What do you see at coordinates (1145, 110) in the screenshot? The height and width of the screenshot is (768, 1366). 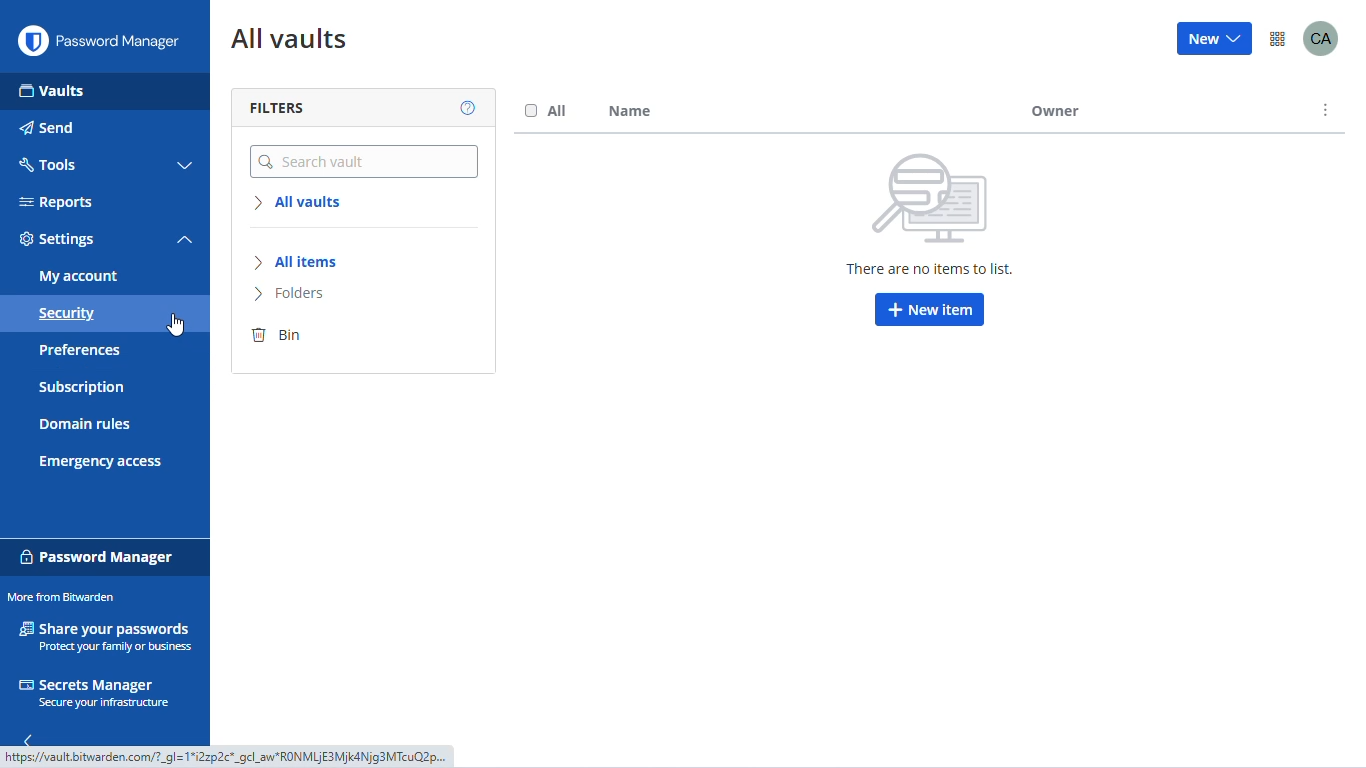 I see `owner` at bounding box center [1145, 110].